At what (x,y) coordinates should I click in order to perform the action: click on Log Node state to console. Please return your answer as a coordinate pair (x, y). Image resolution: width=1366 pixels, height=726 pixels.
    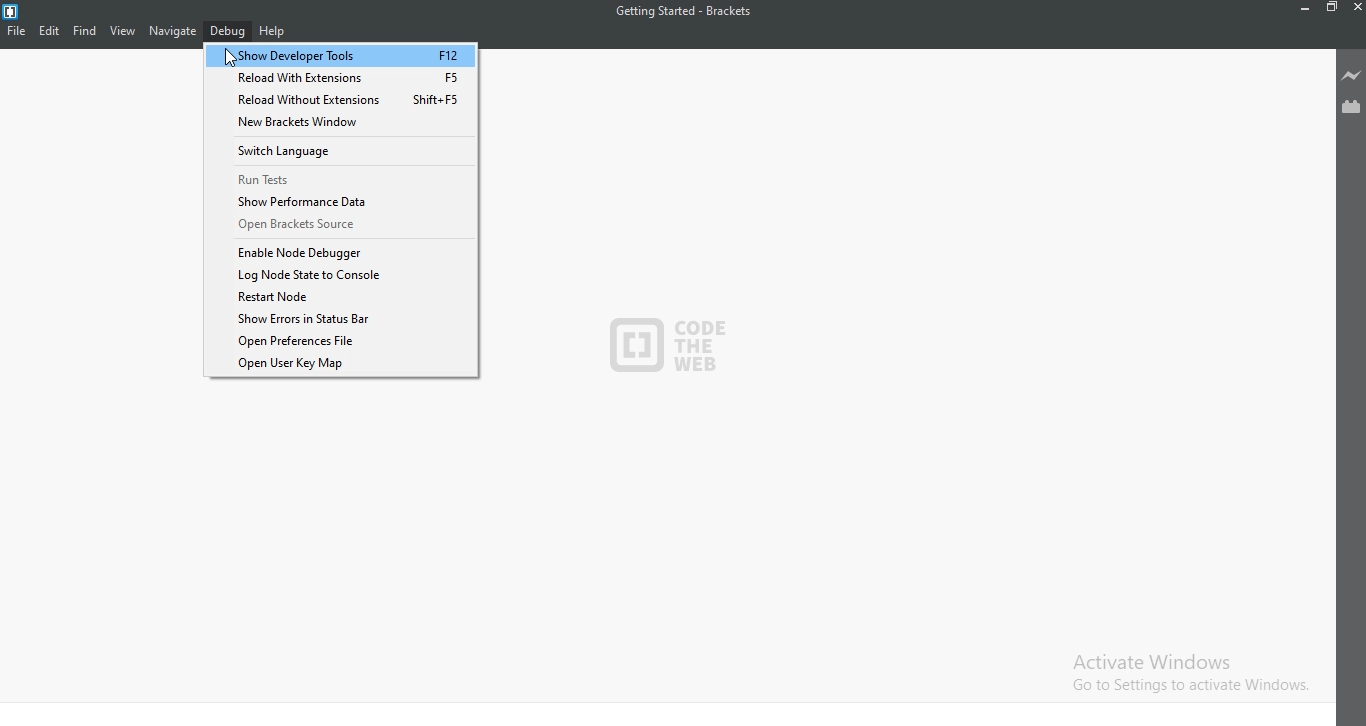
    Looking at the image, I should click on (341, 272).